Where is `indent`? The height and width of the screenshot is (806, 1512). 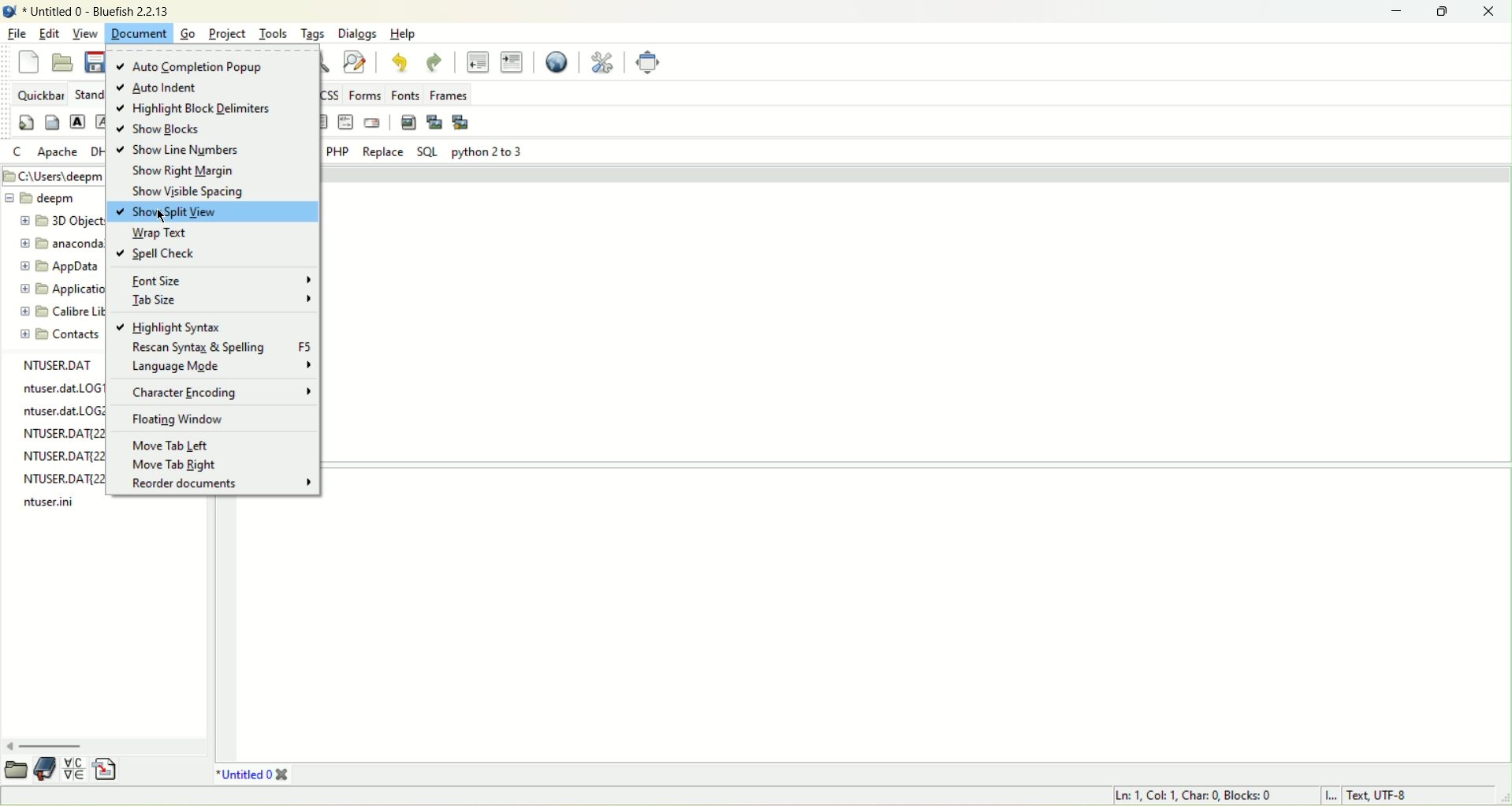 indent is located at coordinates (513, 62).